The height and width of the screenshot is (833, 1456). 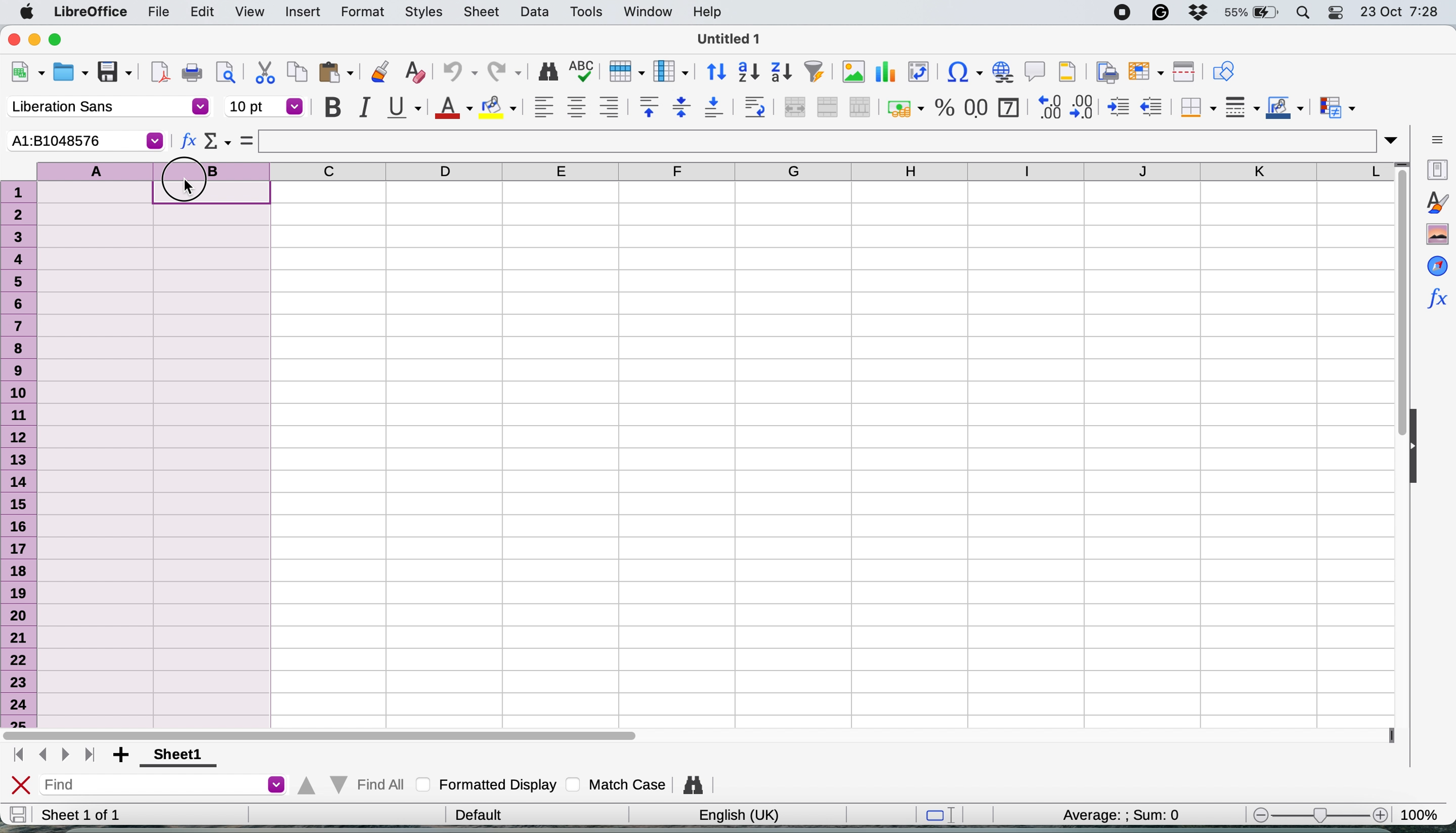 I want to click on border colour, so click(x=1284, y=107).